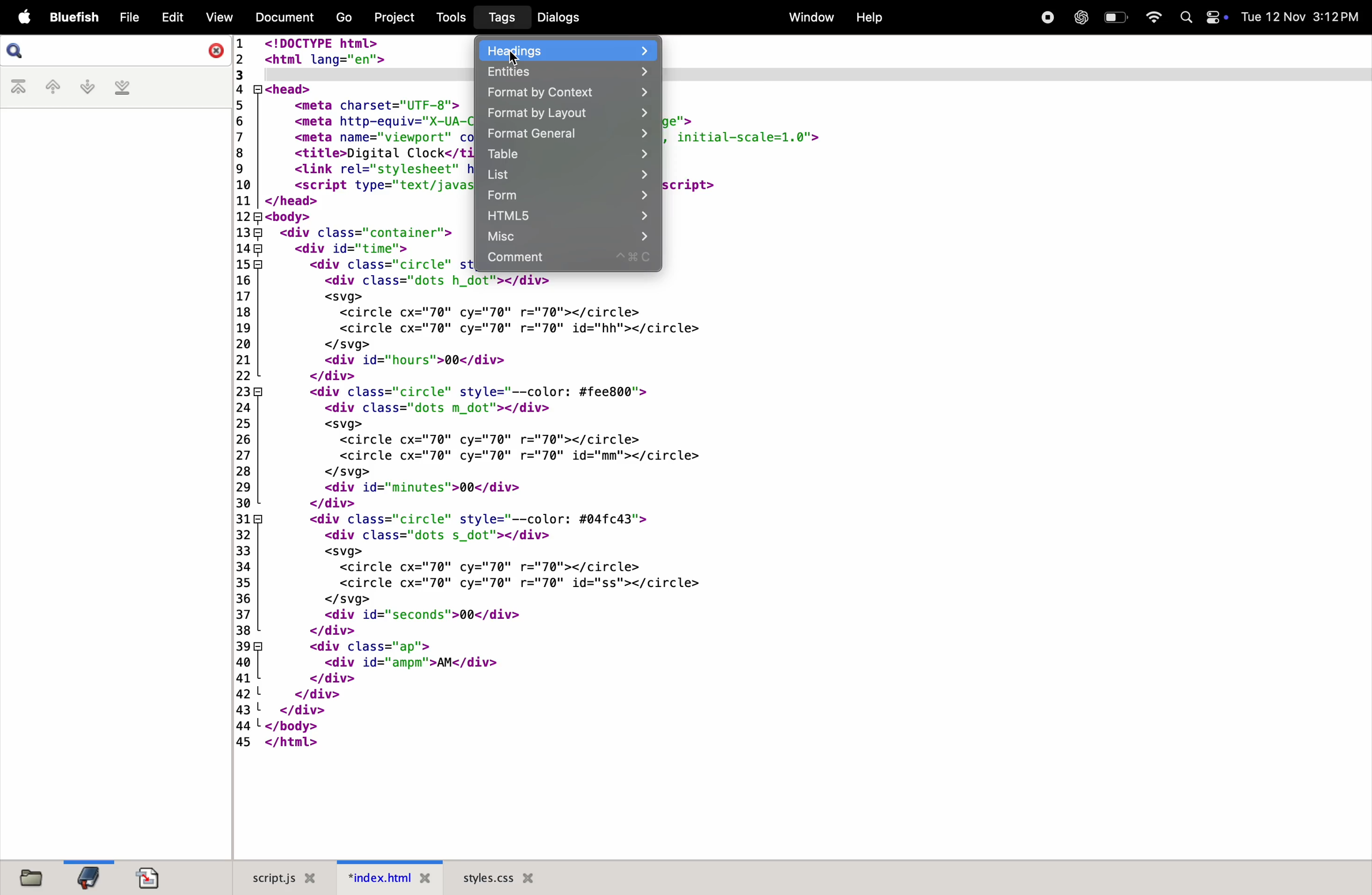 Image resolution: width=1372 pixels, height=895 pixels. Describe the element at coordinates (277, 878) in the screenshot. I see `script.js` at that location.